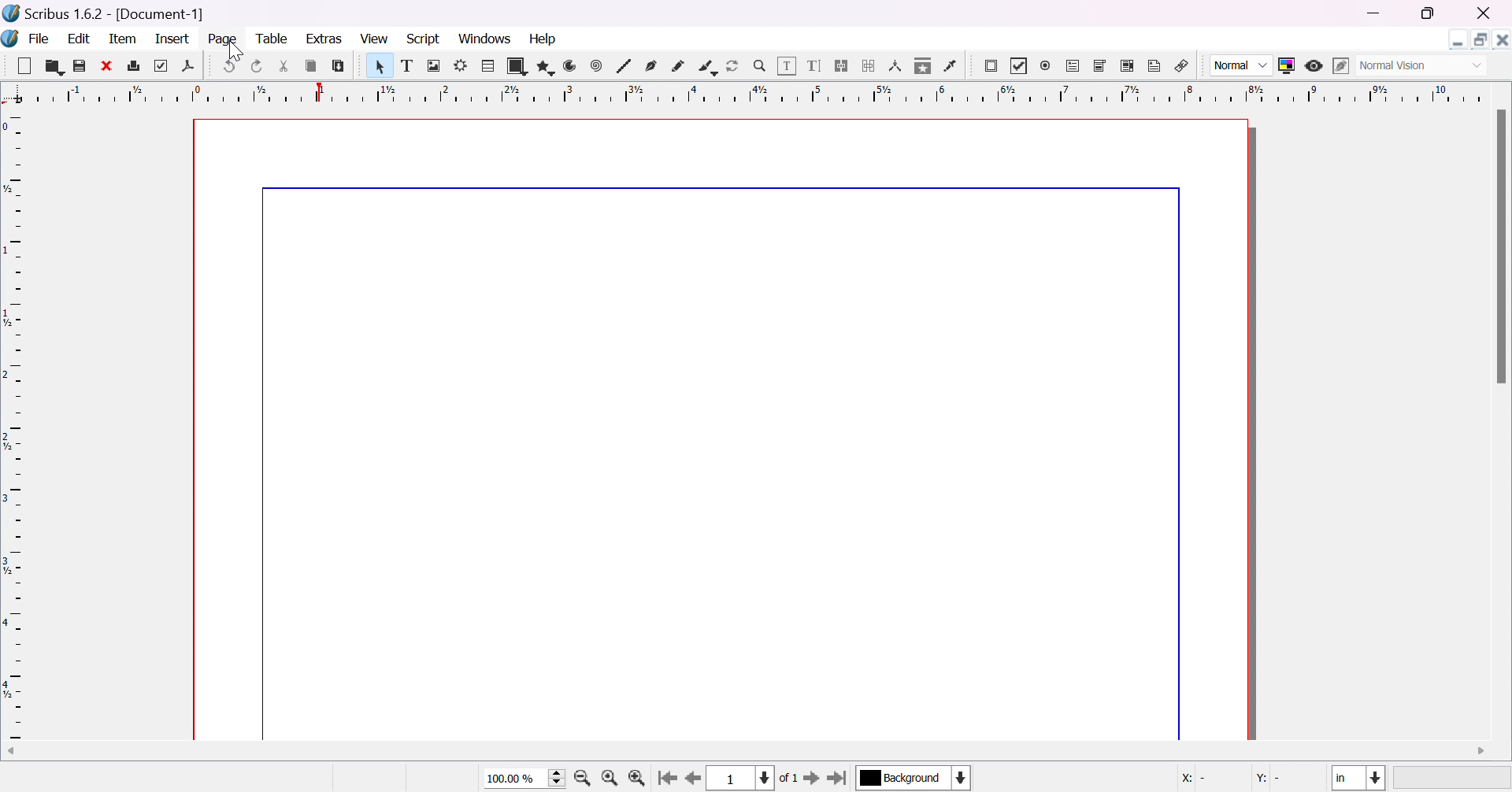  What do you see at coordinates (627, 67) in the screenshot?
I see `line` at bounding box center [627, 67].